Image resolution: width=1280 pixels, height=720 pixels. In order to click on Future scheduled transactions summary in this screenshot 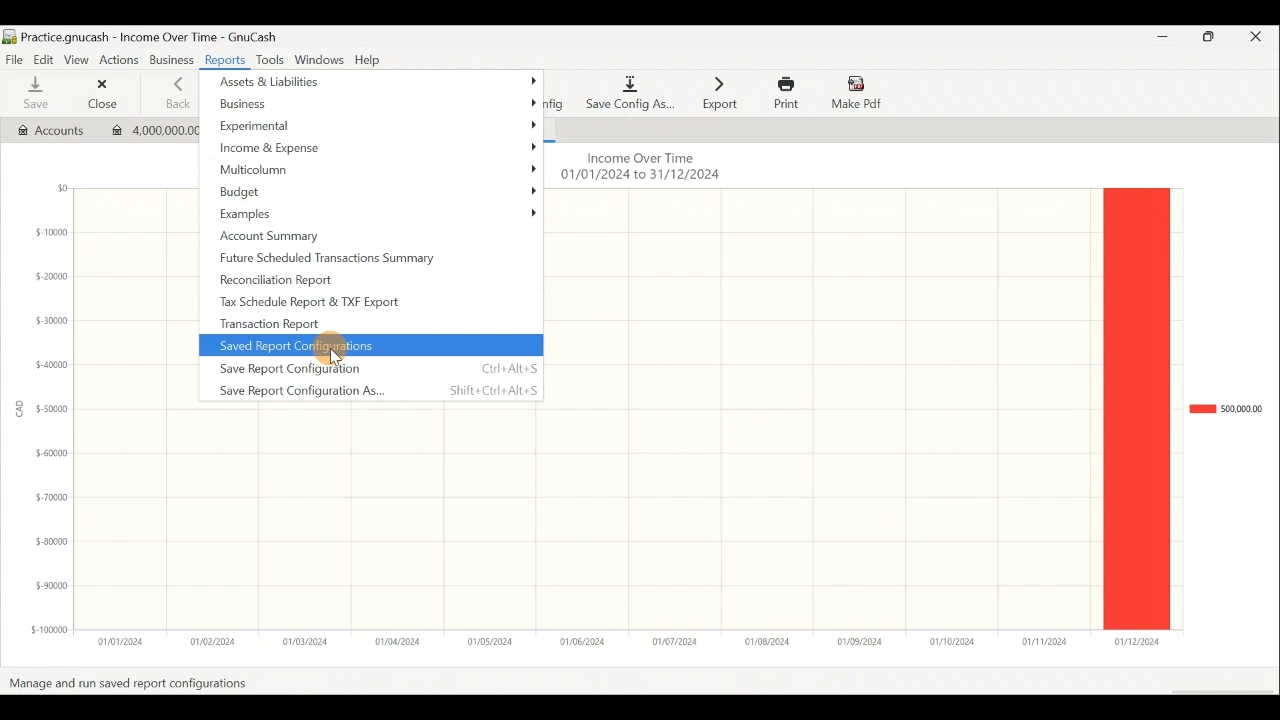, I will do `click(369, 260)`.